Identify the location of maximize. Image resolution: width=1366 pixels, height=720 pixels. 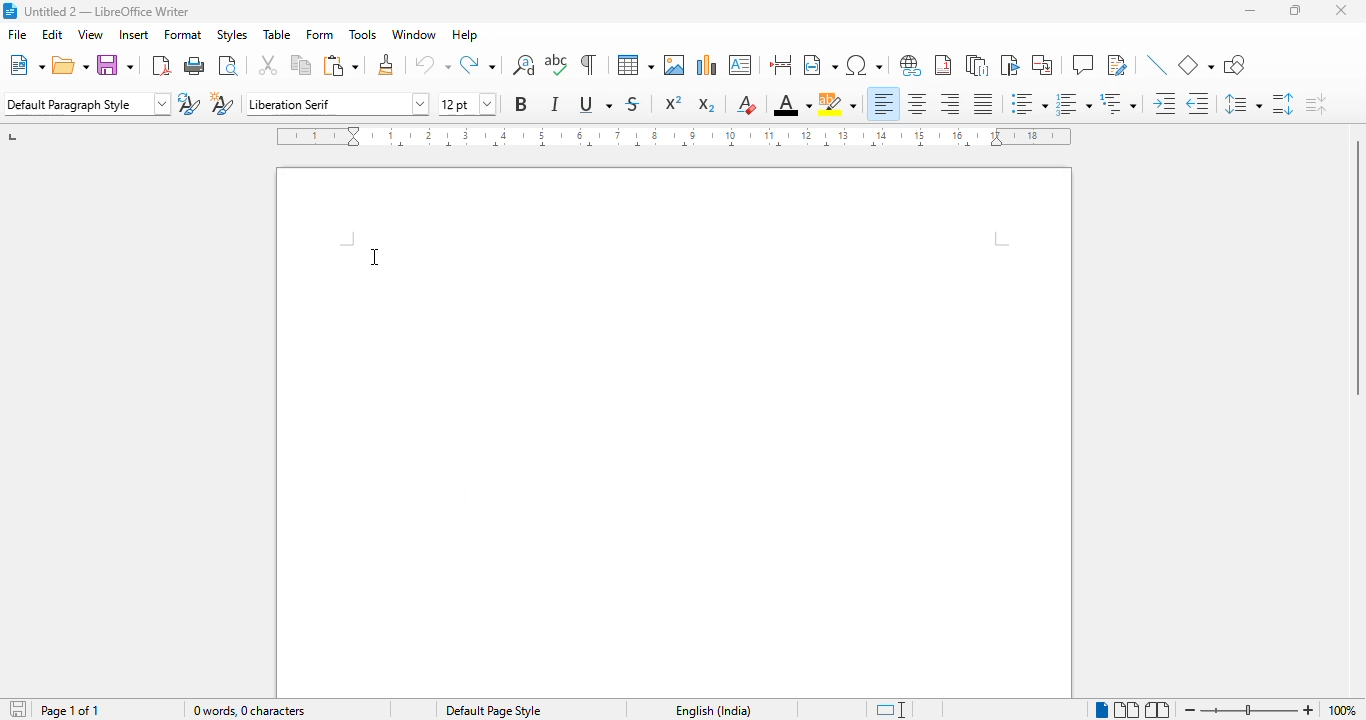
(1297, 10).